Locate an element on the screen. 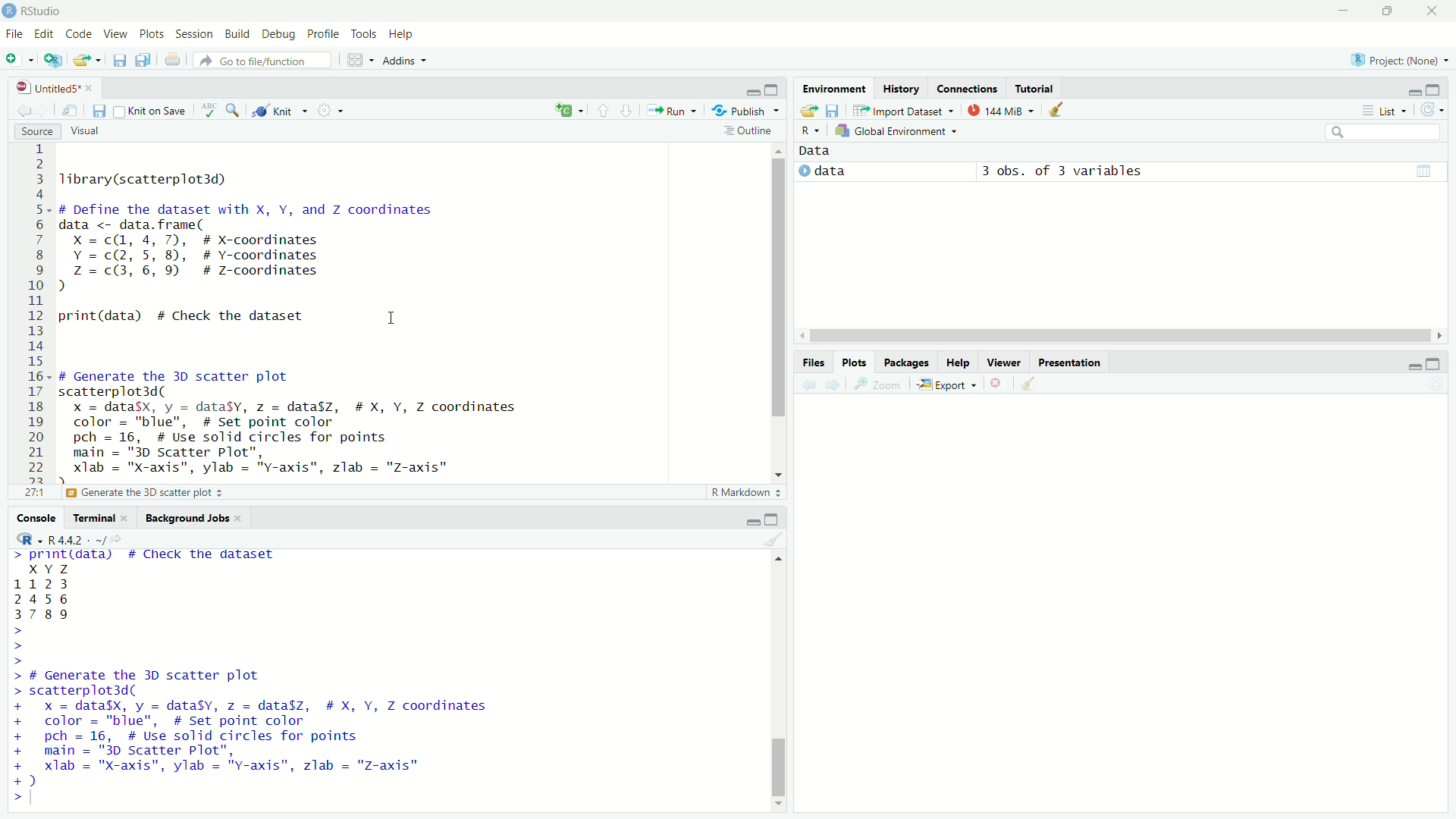  maximize is located at coordinates (1437, 87).